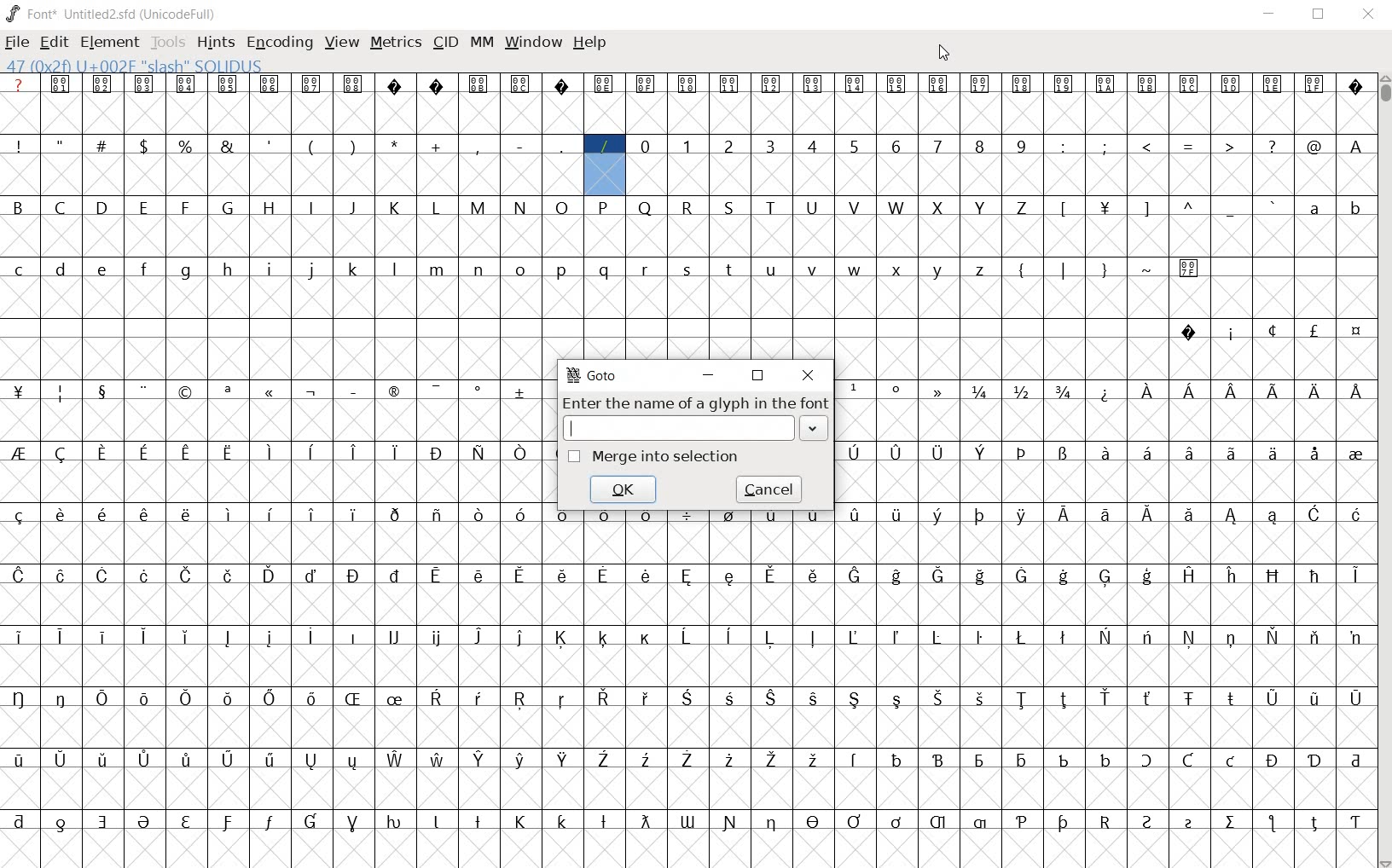 The image size is (1392, 868). I want to click on glyph, so click(311, 698).